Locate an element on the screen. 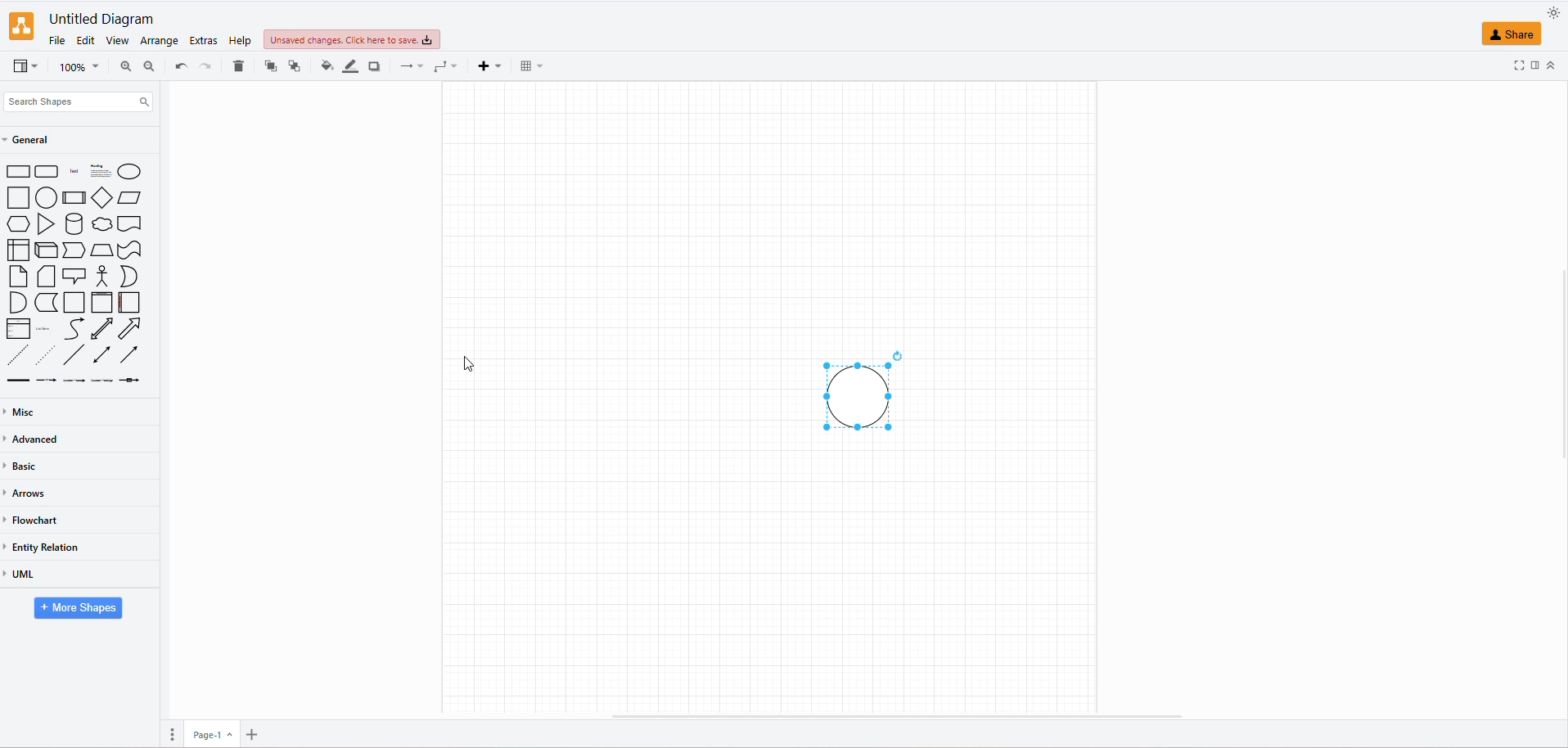 The image size is (1568, 748). WAYPOINTS is located at coordinates (442, 70).